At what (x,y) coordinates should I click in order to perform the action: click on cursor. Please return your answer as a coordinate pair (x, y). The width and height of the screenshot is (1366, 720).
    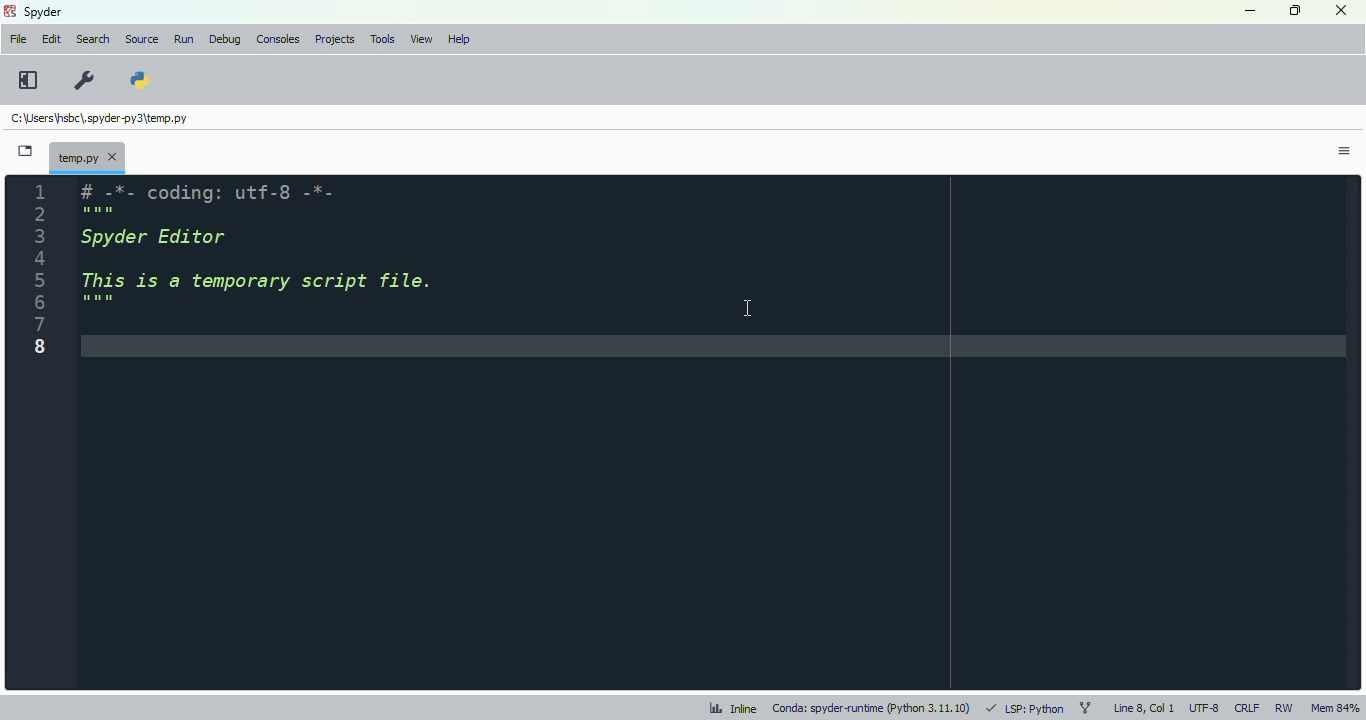
    Looking at the image, I should click on (747, 309).